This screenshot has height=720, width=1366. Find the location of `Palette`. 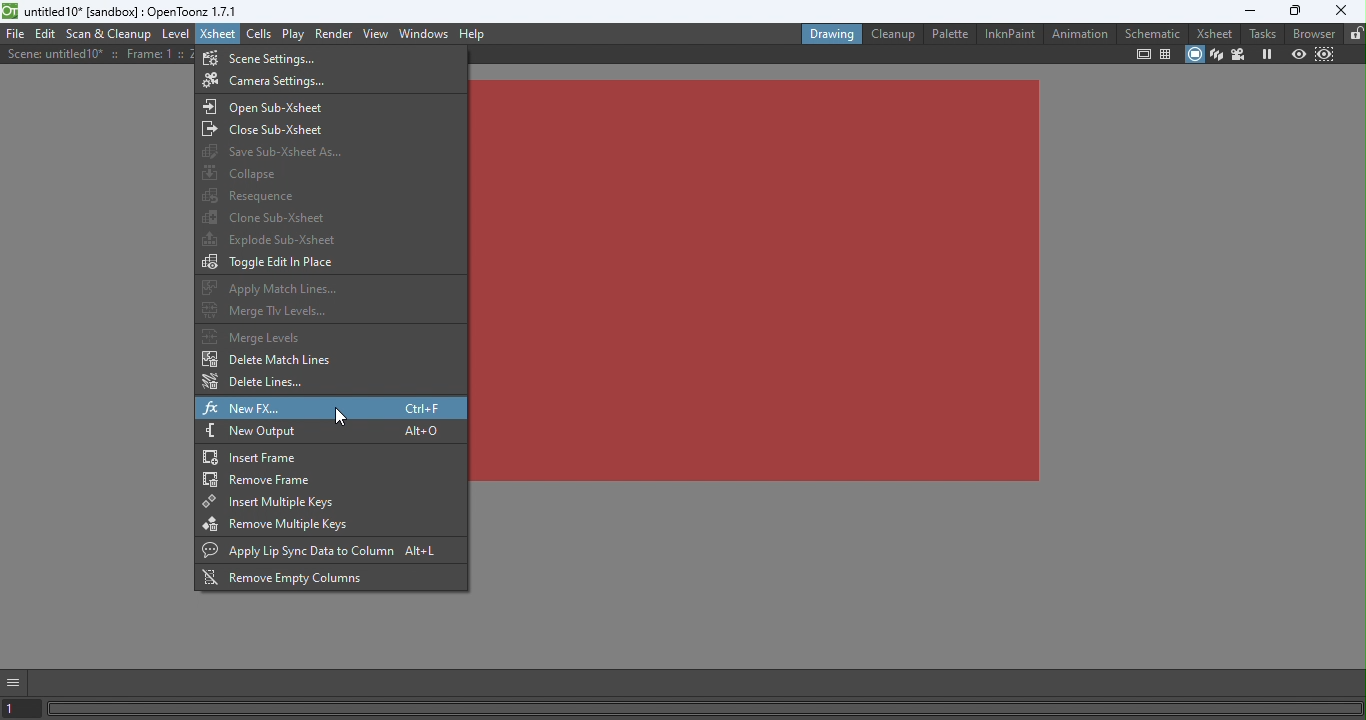

Palette is located at coordinates (949, 34).